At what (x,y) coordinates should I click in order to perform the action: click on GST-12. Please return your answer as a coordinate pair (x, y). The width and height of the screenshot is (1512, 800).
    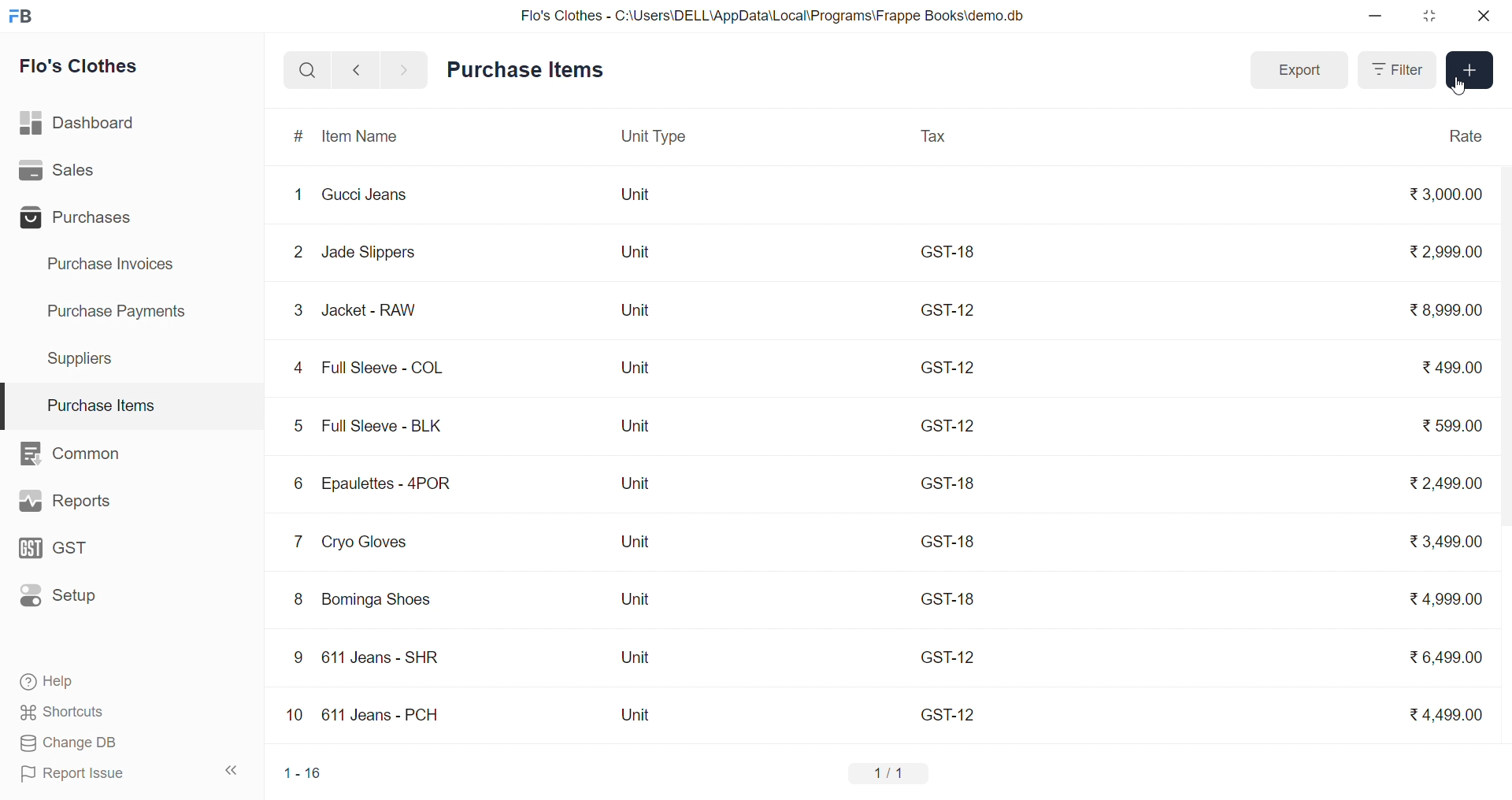
    Looking at the image, I should click on (948, 427).